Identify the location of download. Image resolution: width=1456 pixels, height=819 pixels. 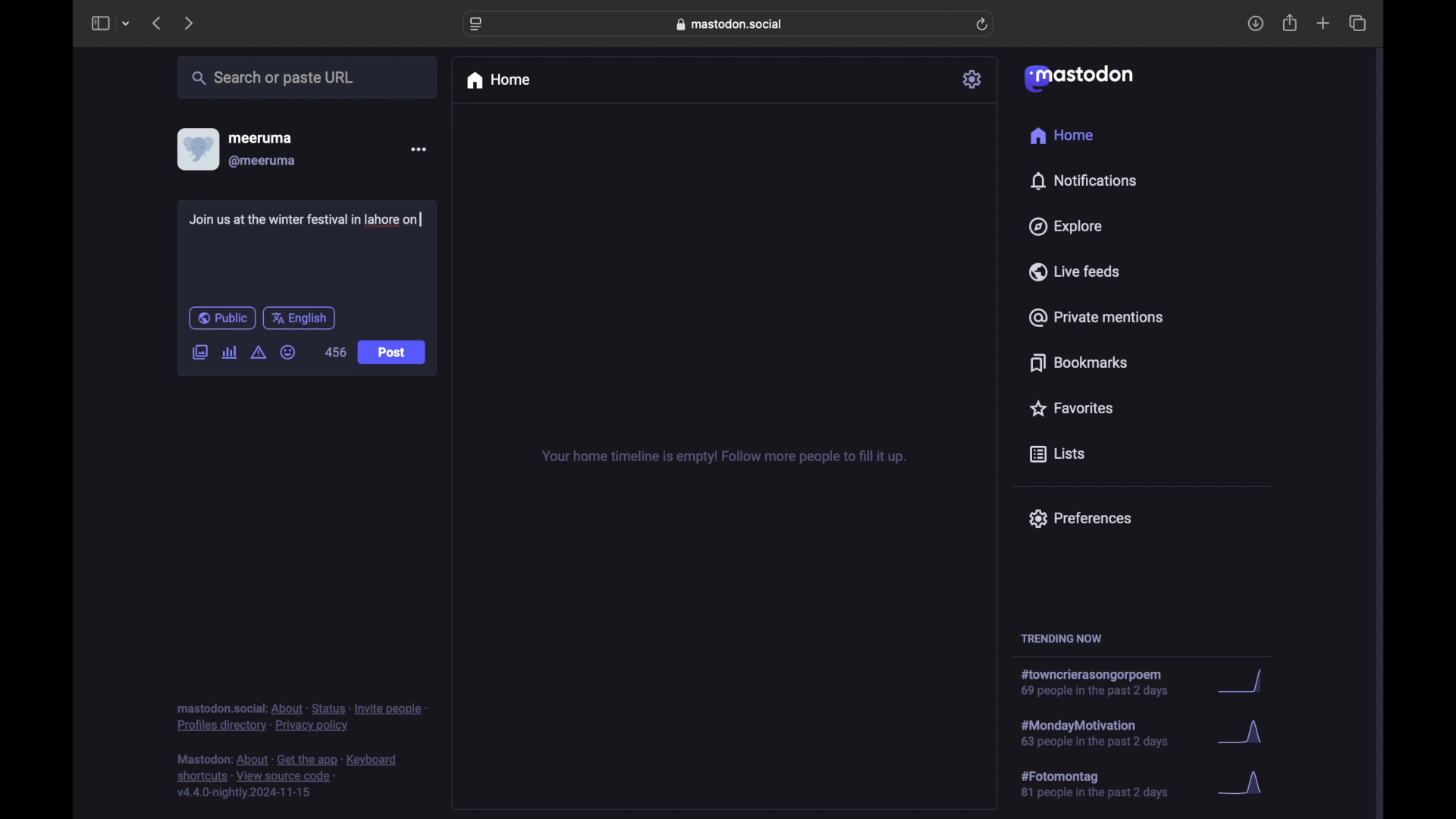
(1256, 24).